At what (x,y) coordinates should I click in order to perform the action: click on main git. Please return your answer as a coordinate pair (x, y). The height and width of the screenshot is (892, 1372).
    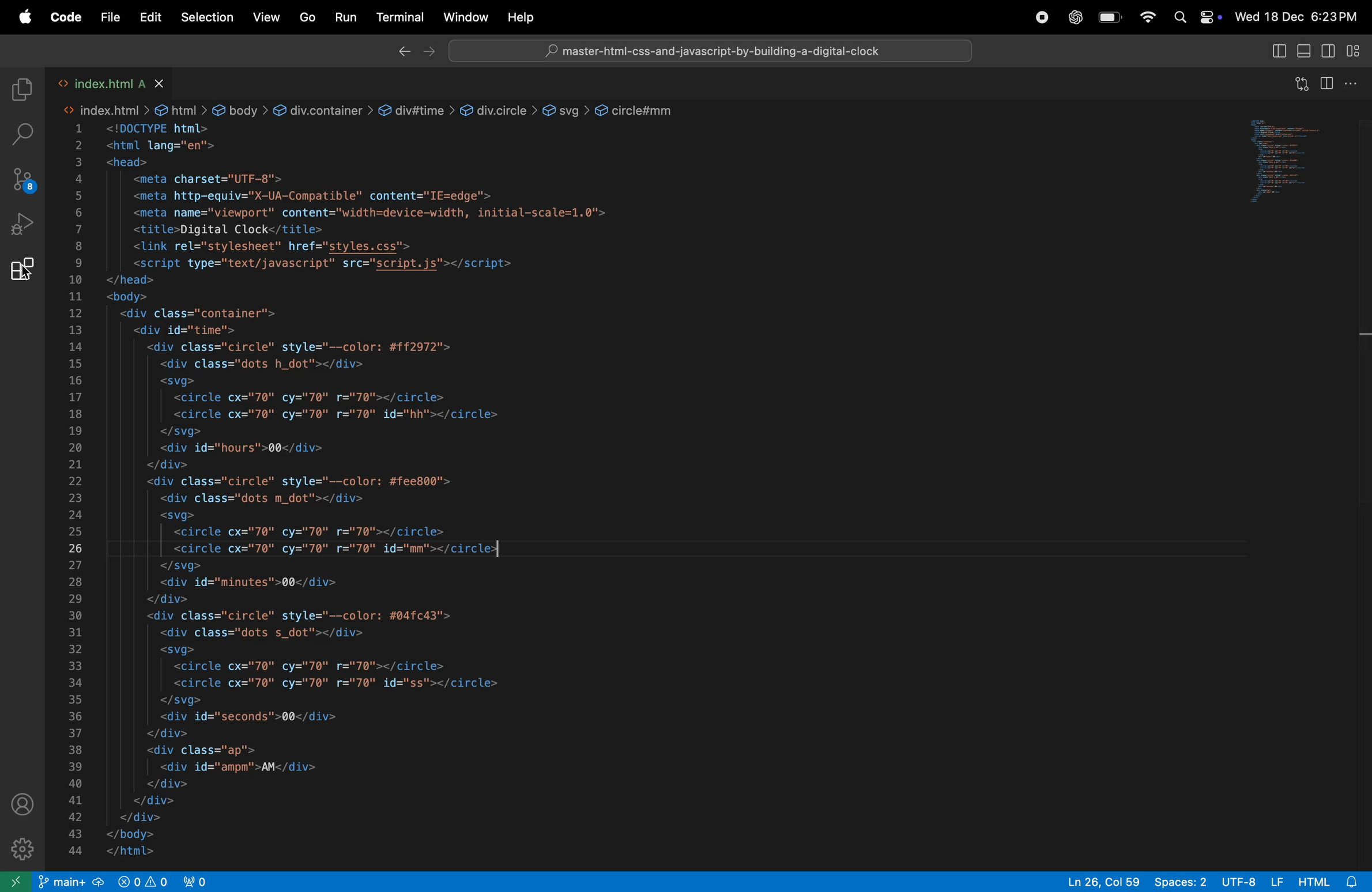
    Looking at the image, I should click on (71, 882).